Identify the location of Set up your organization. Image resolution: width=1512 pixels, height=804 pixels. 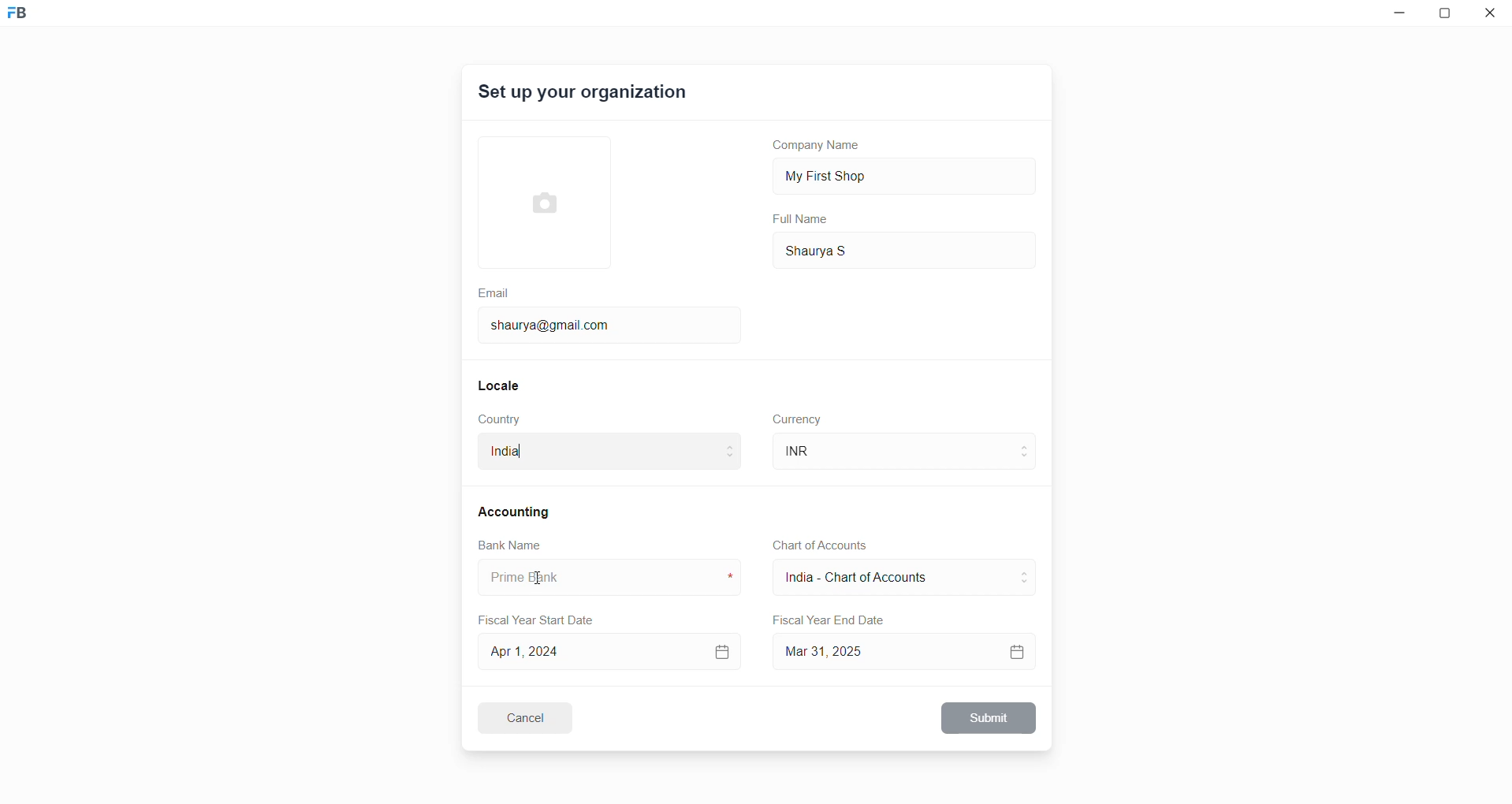
(584, 95).